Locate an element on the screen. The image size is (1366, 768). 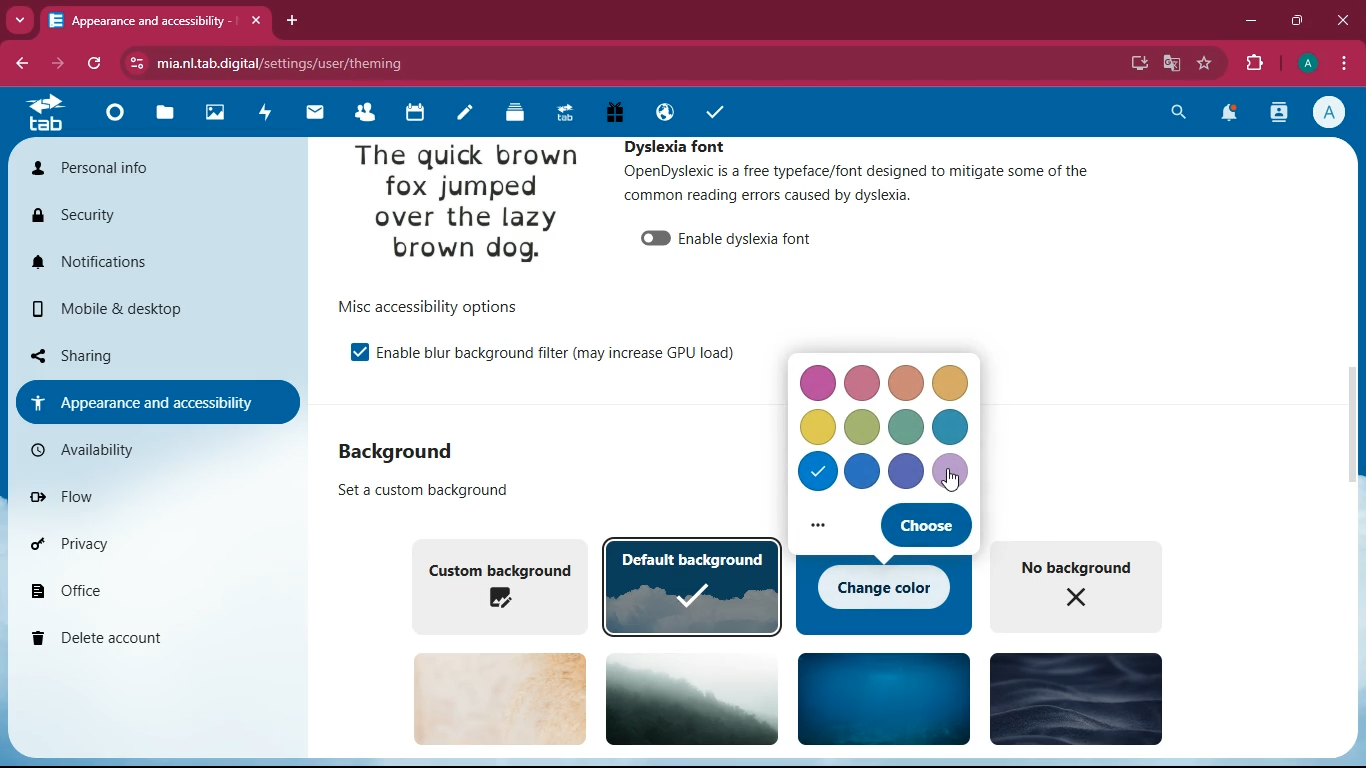
public is located at coordinates (661, 112).